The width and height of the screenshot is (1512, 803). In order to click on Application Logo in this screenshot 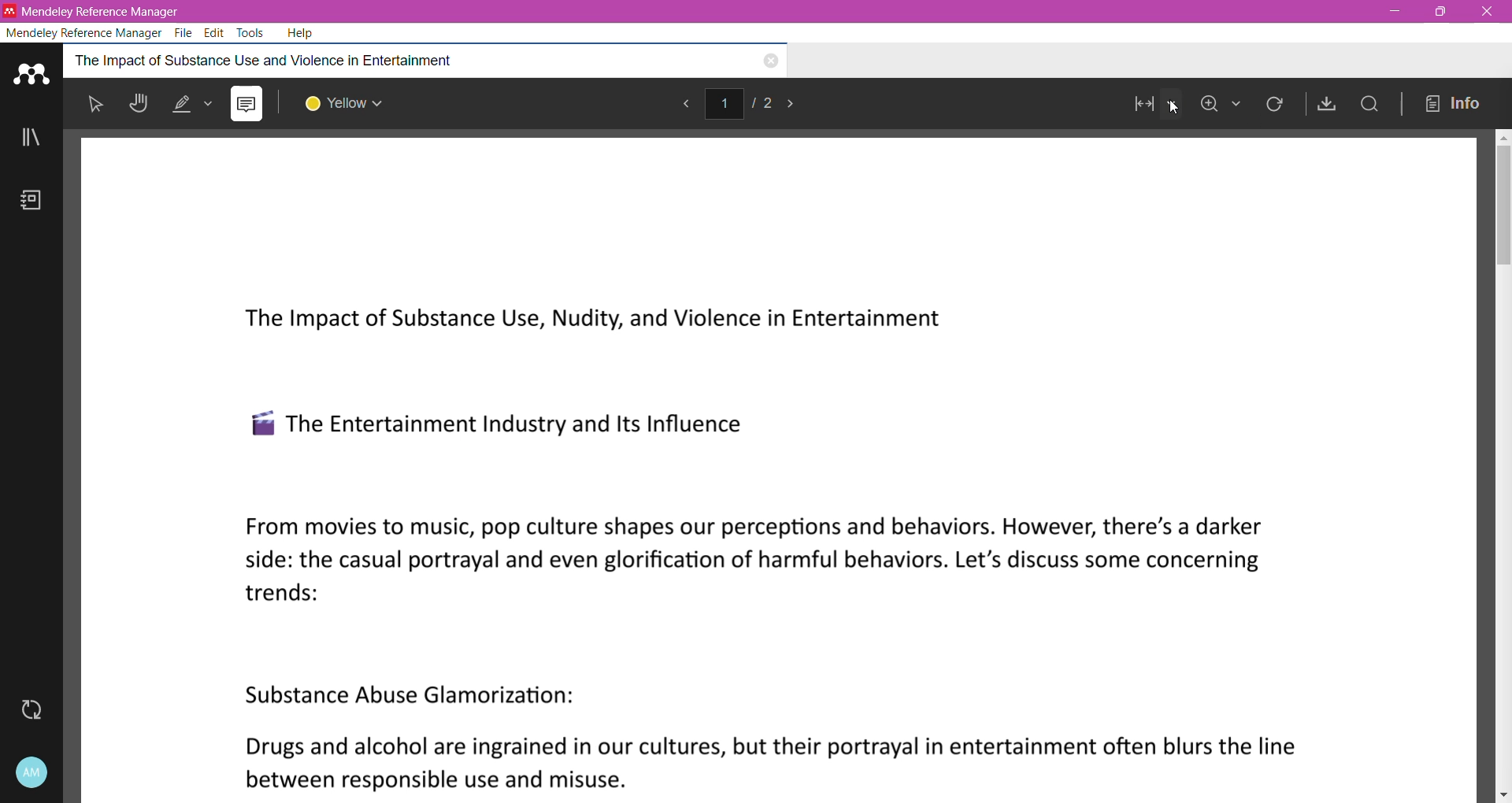, I will do `click(32, 72)`.